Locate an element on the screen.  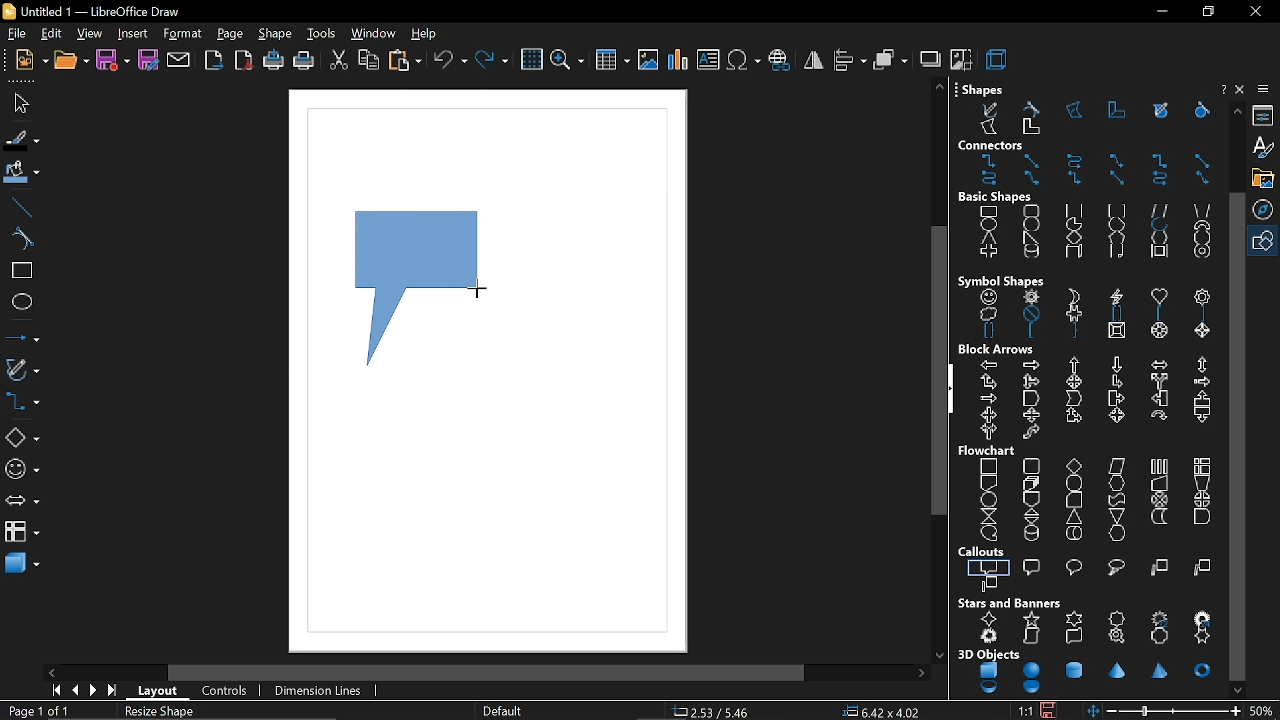
curved connector ends with arrow is located at coordinates (1078, 161).